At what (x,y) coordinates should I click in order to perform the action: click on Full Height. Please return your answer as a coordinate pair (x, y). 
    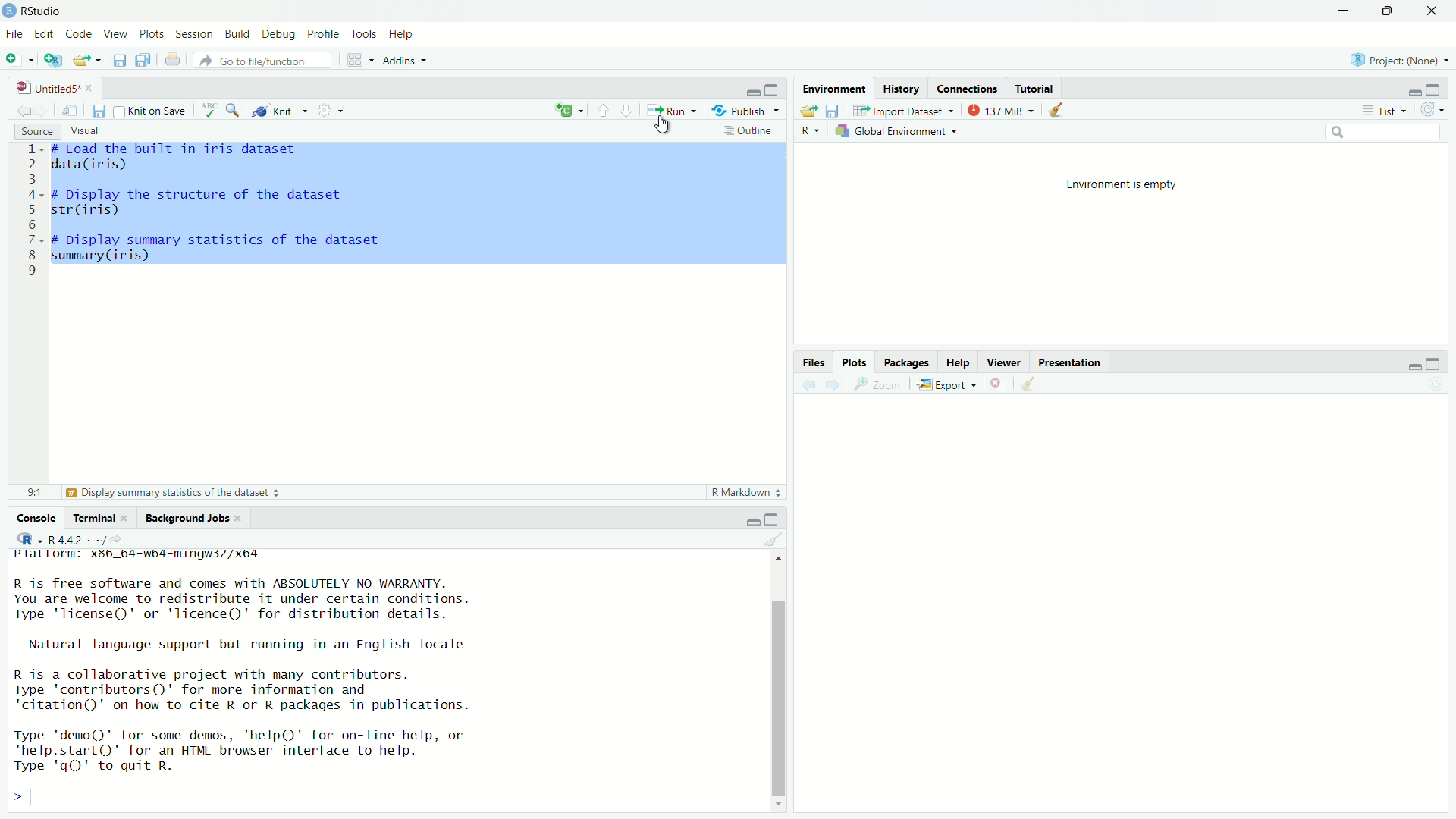
    Looking at the image, I should click on (774, 519).